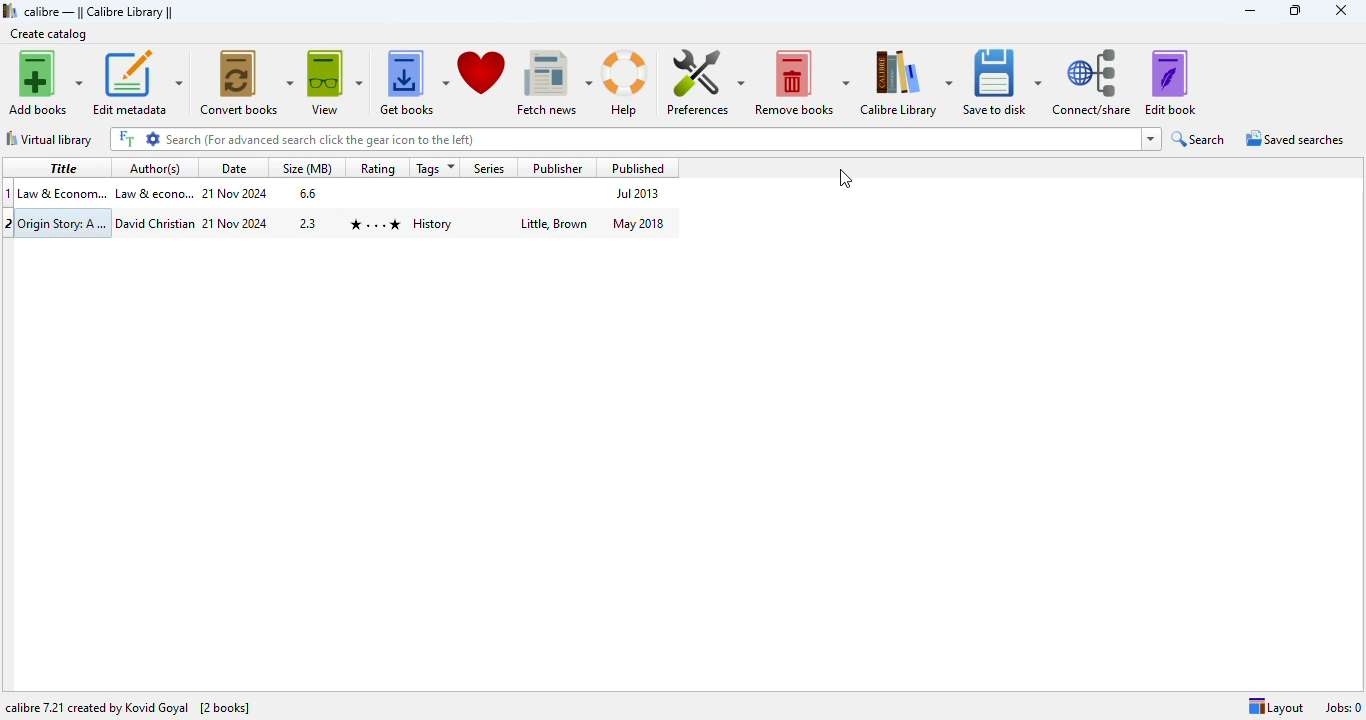 The image size is (1366, 720). What do you see at coordinates (1298, 138) in the screenshot?
I see `saved searches` at bounding box center [1298, 138].